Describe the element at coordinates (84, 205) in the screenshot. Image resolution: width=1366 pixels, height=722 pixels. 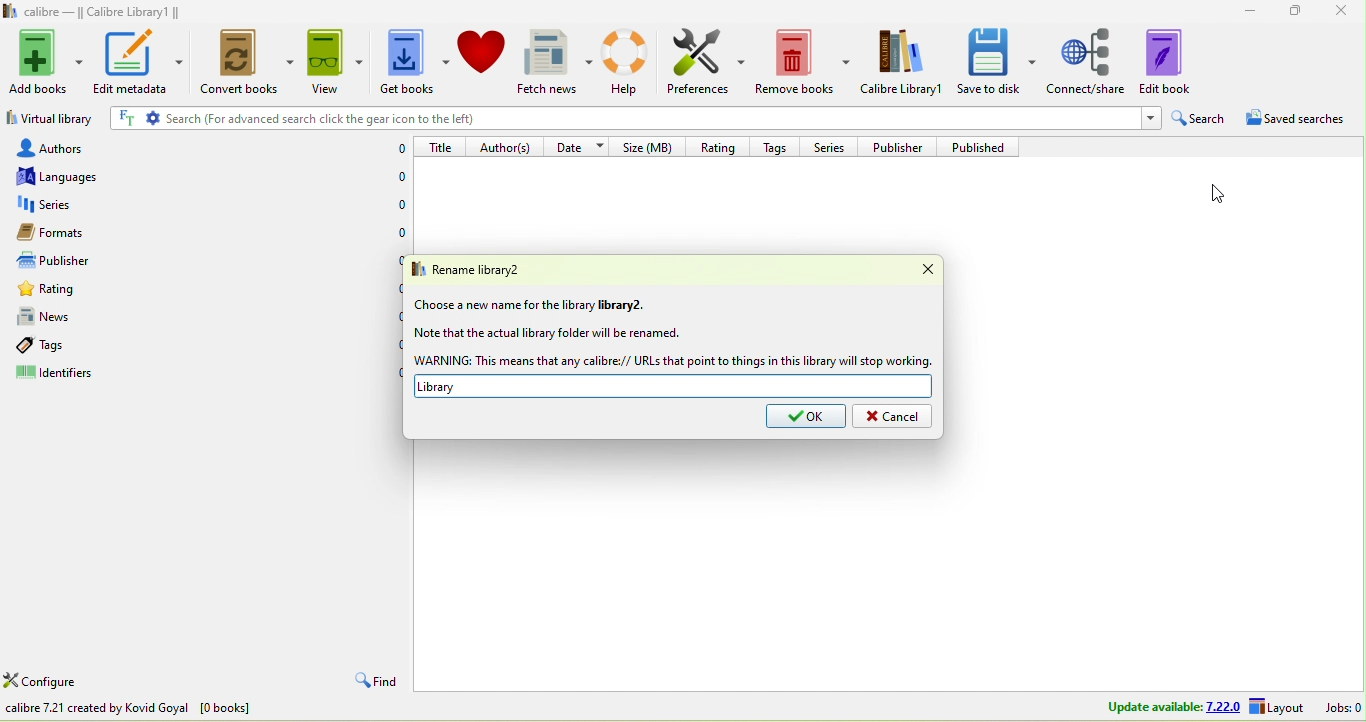
I see `series` at that location.